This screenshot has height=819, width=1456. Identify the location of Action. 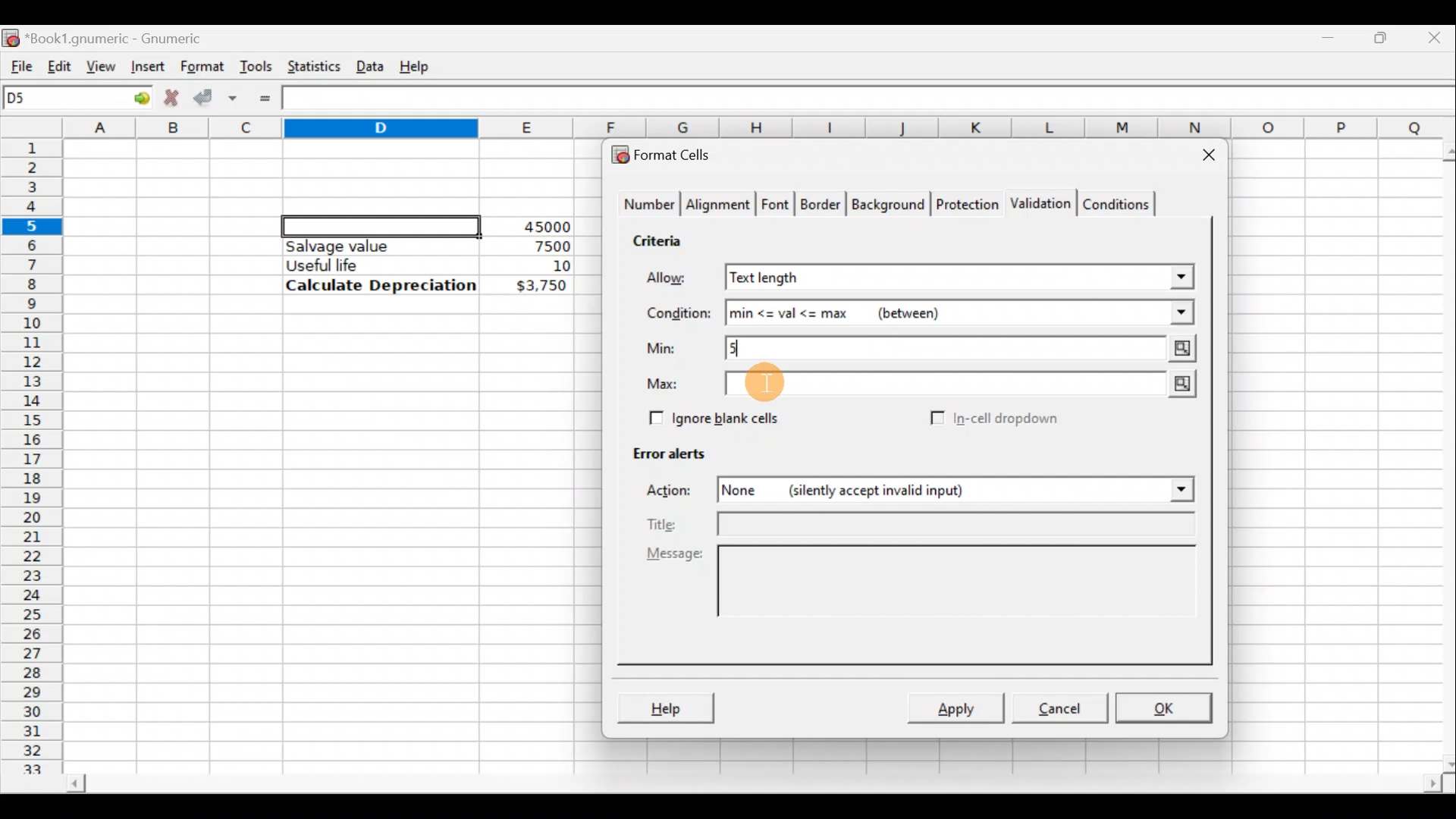
(678, 493).